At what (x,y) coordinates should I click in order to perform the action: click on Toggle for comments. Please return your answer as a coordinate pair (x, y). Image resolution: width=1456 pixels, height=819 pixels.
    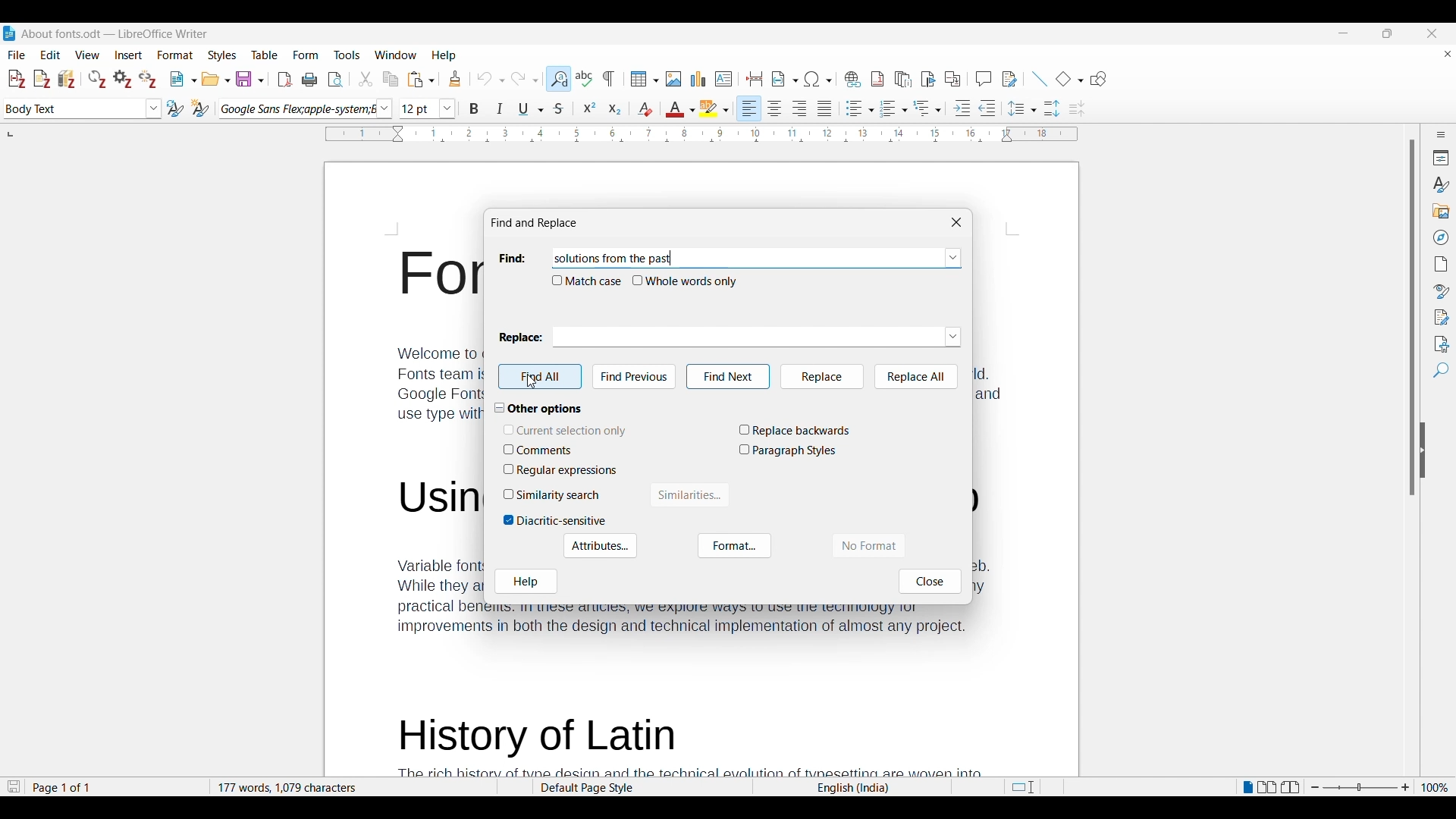
    Looking at the image, I should click on (544, 450).